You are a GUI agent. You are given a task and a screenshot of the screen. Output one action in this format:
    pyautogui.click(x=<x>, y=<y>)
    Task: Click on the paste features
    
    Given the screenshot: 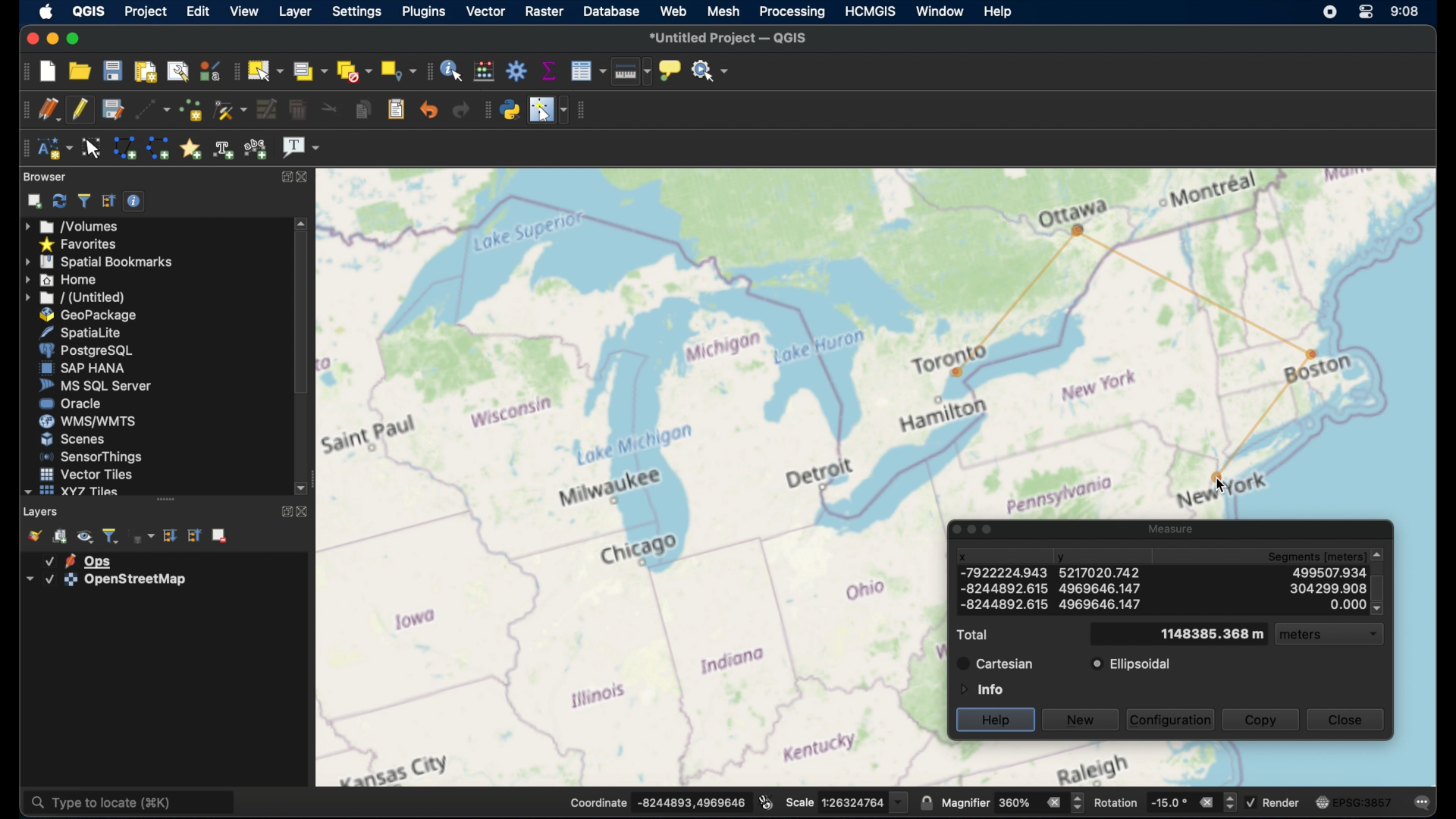 What is the action you would take?
    pyautogui.click(x=397, y=110)
    